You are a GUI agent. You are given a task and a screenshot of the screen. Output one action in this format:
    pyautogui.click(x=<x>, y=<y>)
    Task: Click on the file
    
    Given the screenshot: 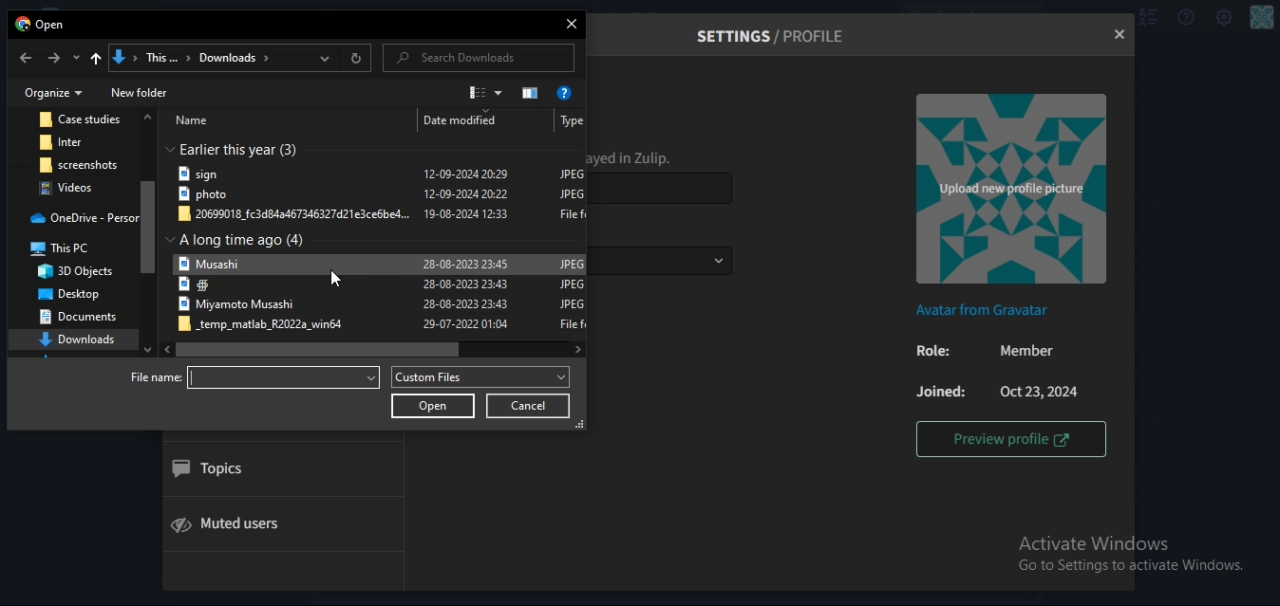 What is the action you would take?
    pyautogui.click(x=385, y=325)
    